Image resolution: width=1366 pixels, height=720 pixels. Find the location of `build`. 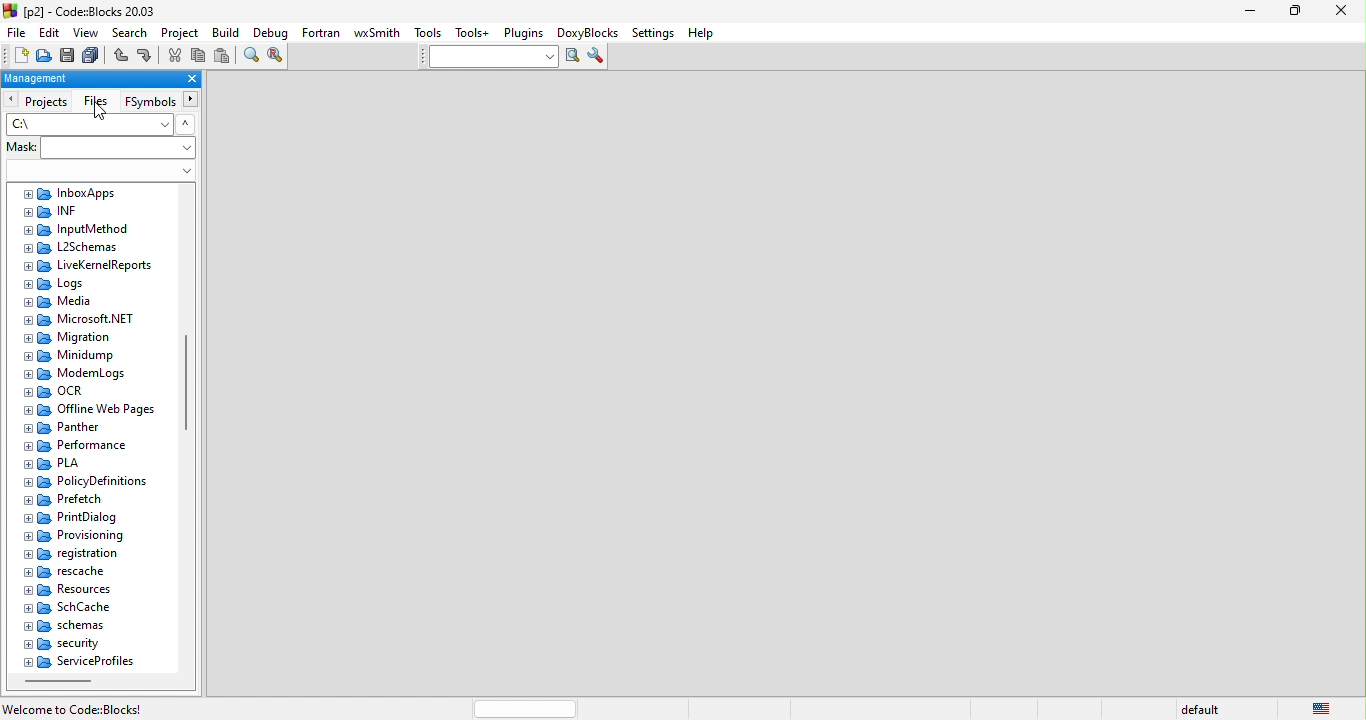

build is located at coordinates (228, 33).